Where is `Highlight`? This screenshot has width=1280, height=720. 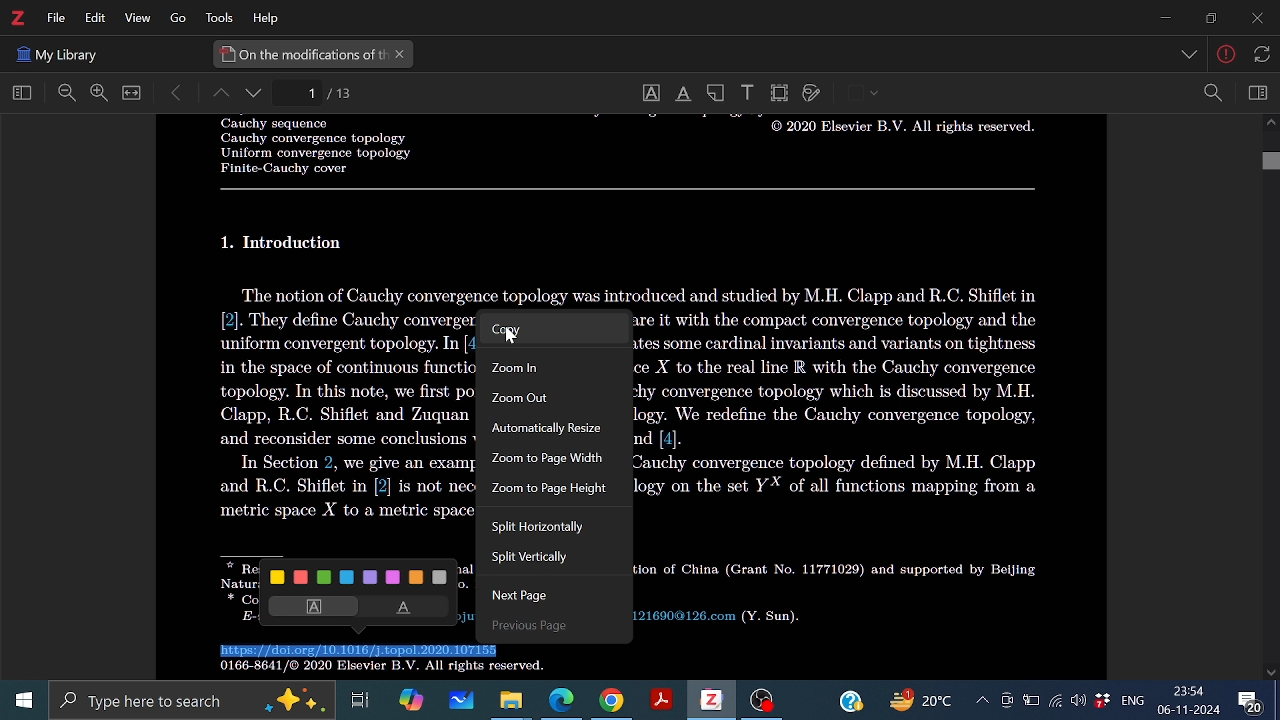 Highlight is located at coordinates (309, 606).